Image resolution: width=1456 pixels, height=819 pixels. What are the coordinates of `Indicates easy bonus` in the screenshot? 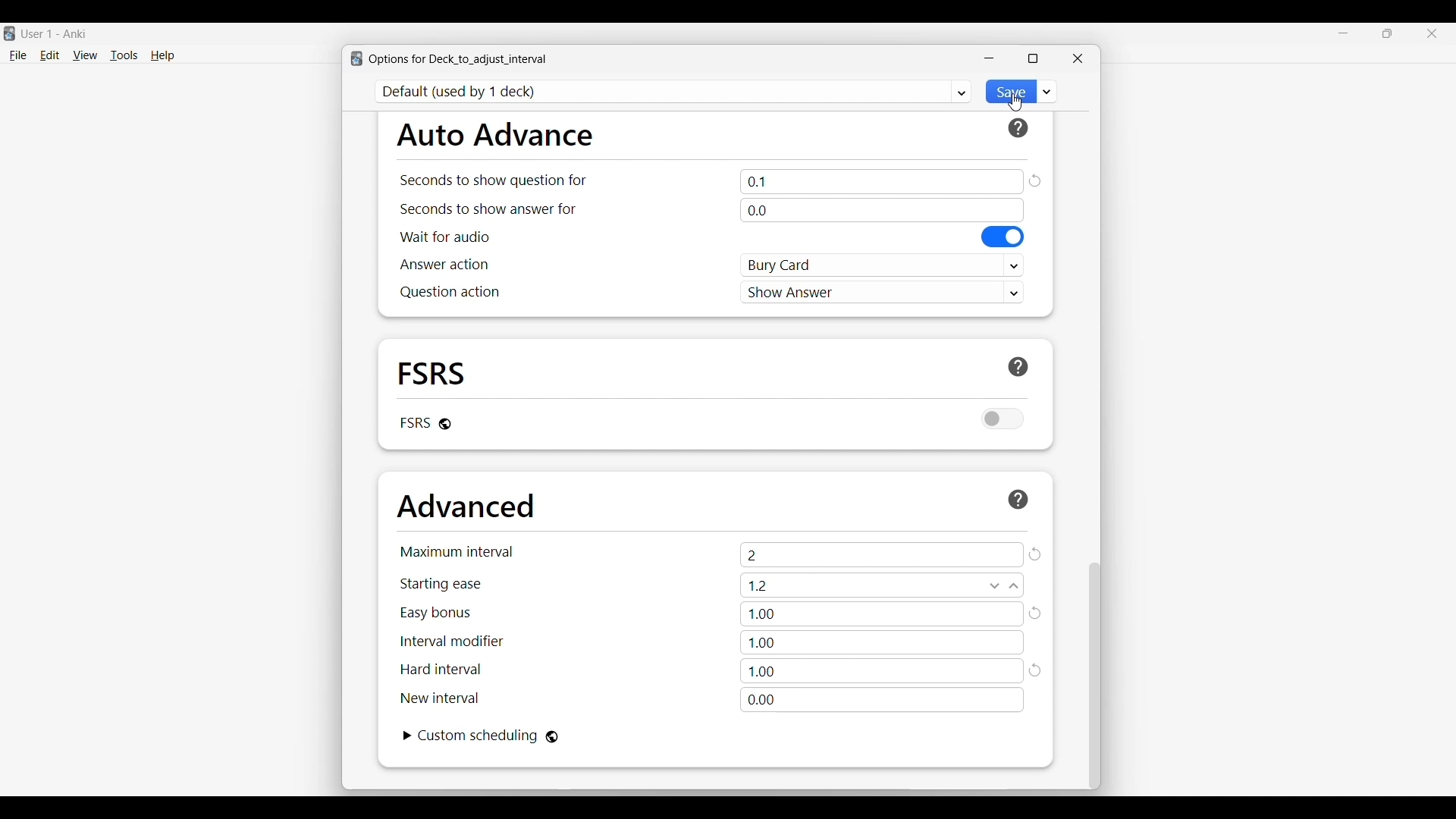 It's located at (436, 613).